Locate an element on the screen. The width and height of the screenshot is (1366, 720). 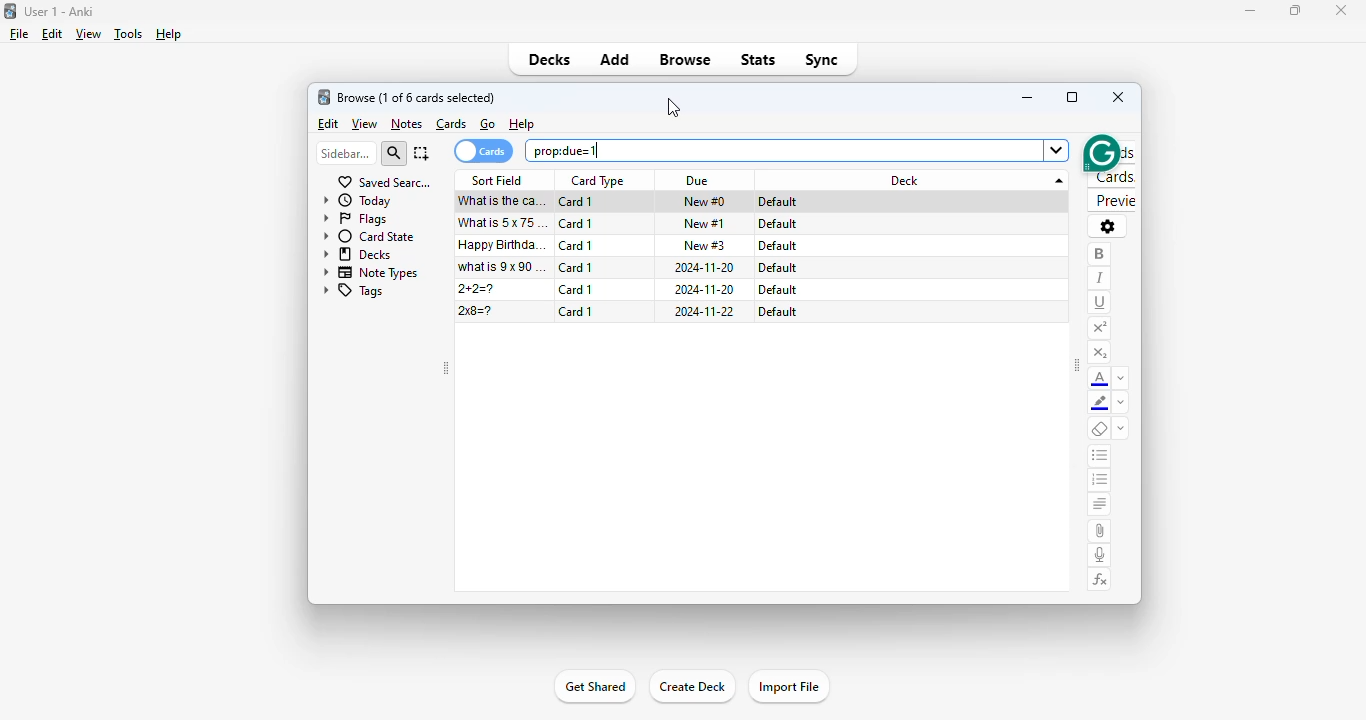
options is located at coordinates (1108, 227).